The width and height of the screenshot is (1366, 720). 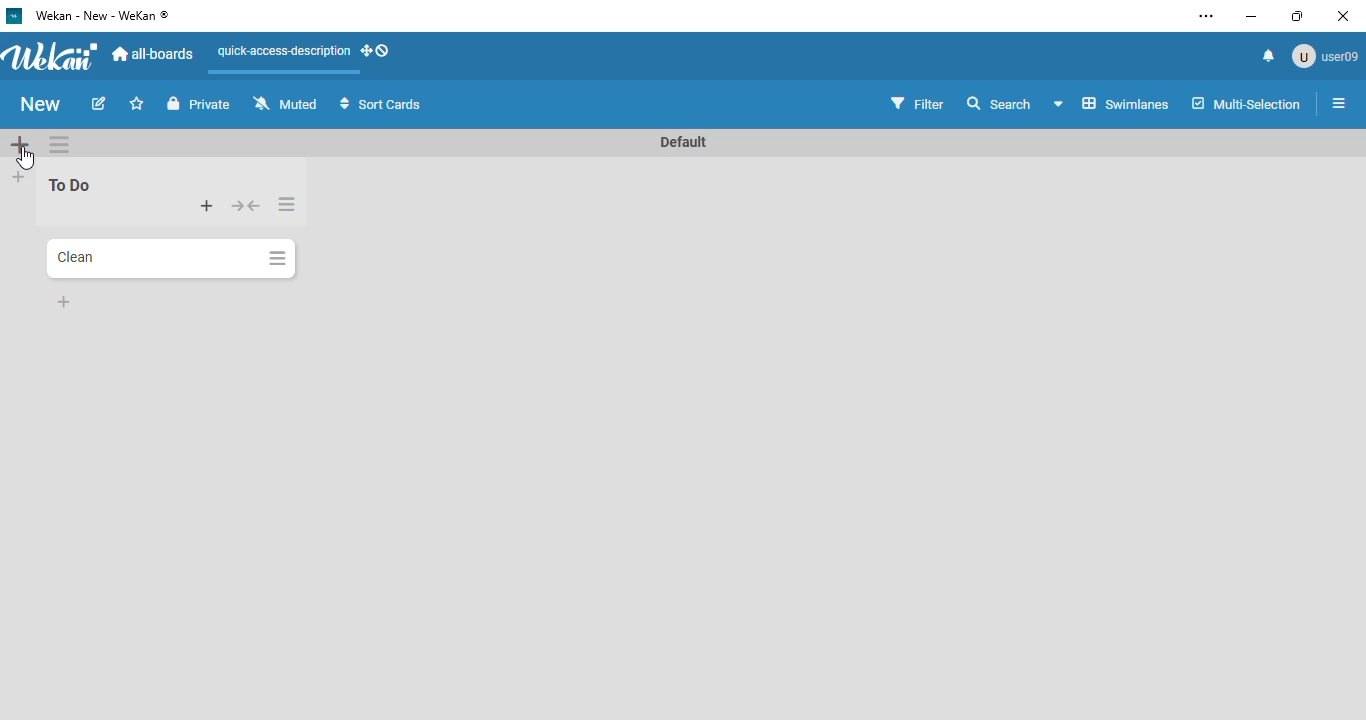 I want to click on notifications, so click(x=1270, y=56).